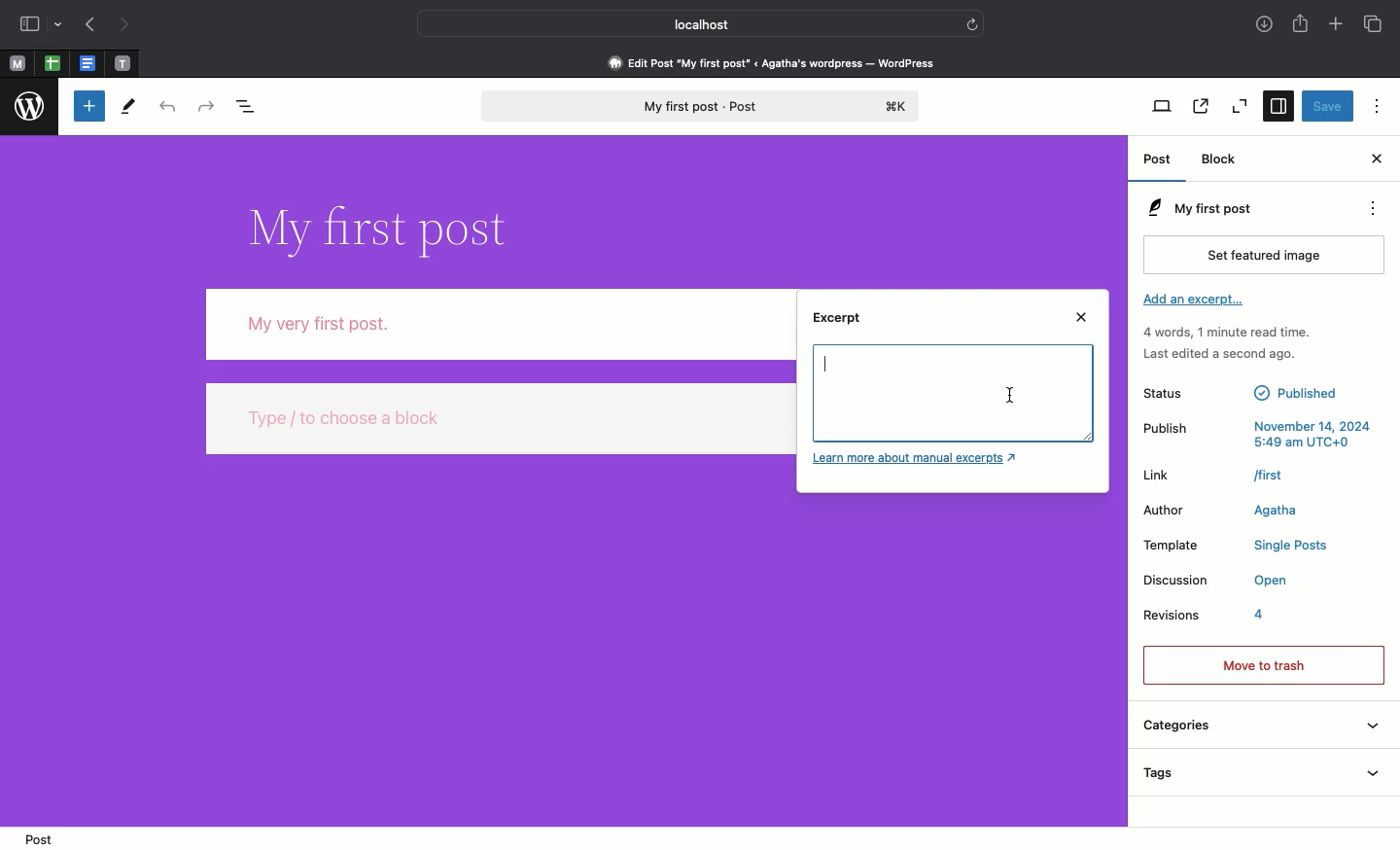  Describe the element at coordinates (1257, 432) in the screenshot. I see `Publish` at that location.